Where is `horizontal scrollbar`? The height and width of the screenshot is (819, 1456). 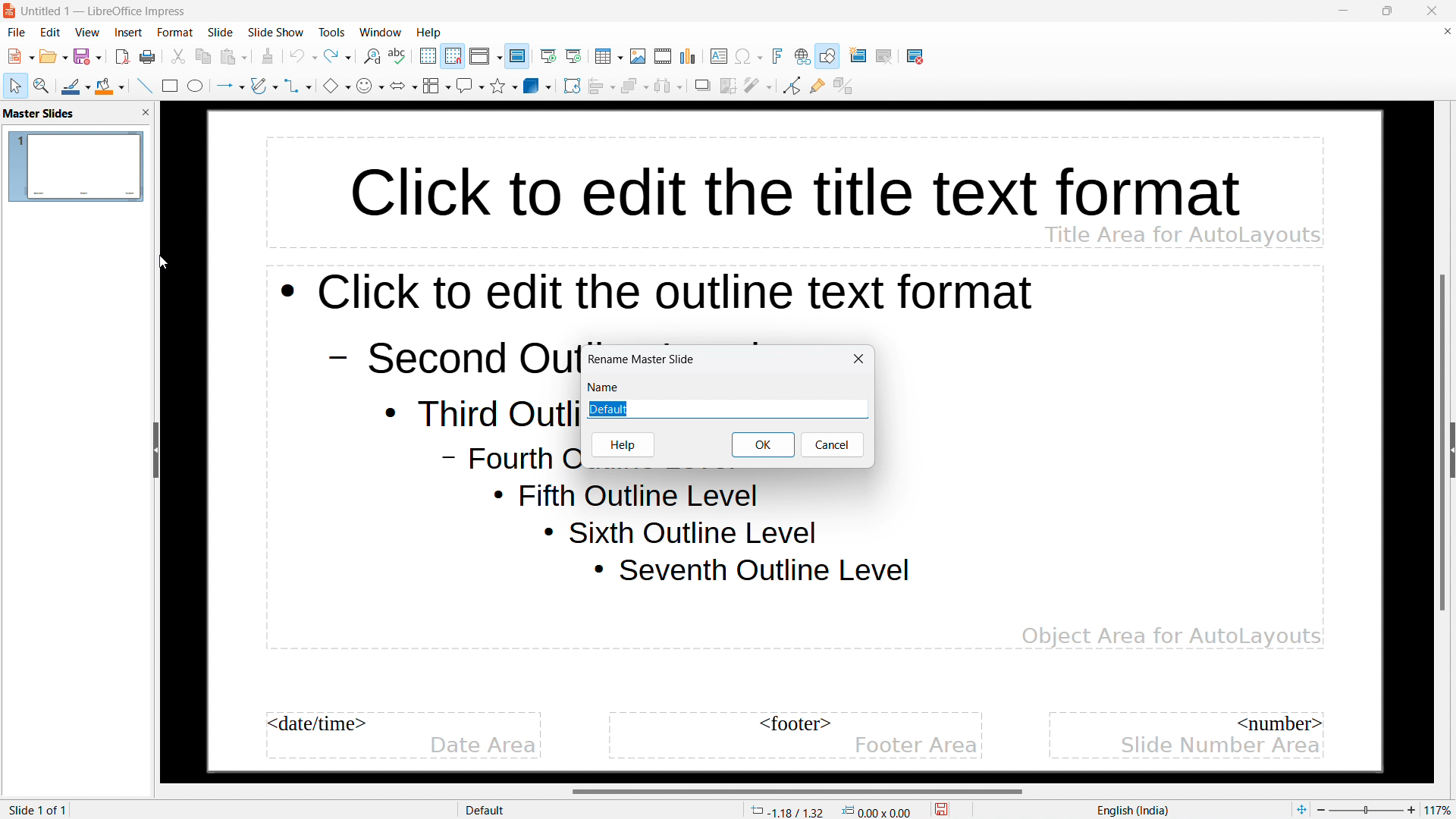
horizontal scrollbar is located at coordinates (798, 791).